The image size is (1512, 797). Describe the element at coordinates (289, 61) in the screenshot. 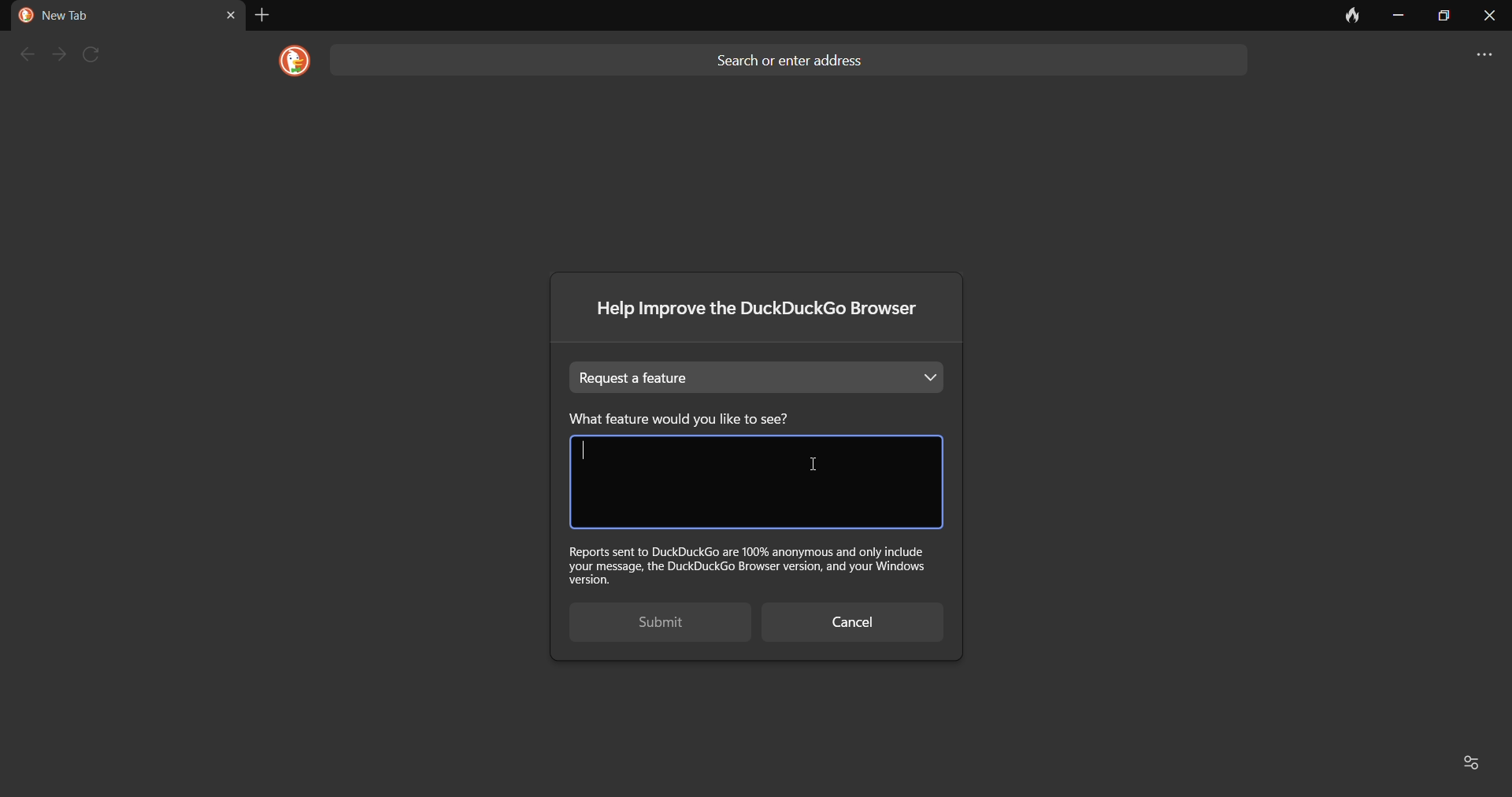

I see `logo` at that location.